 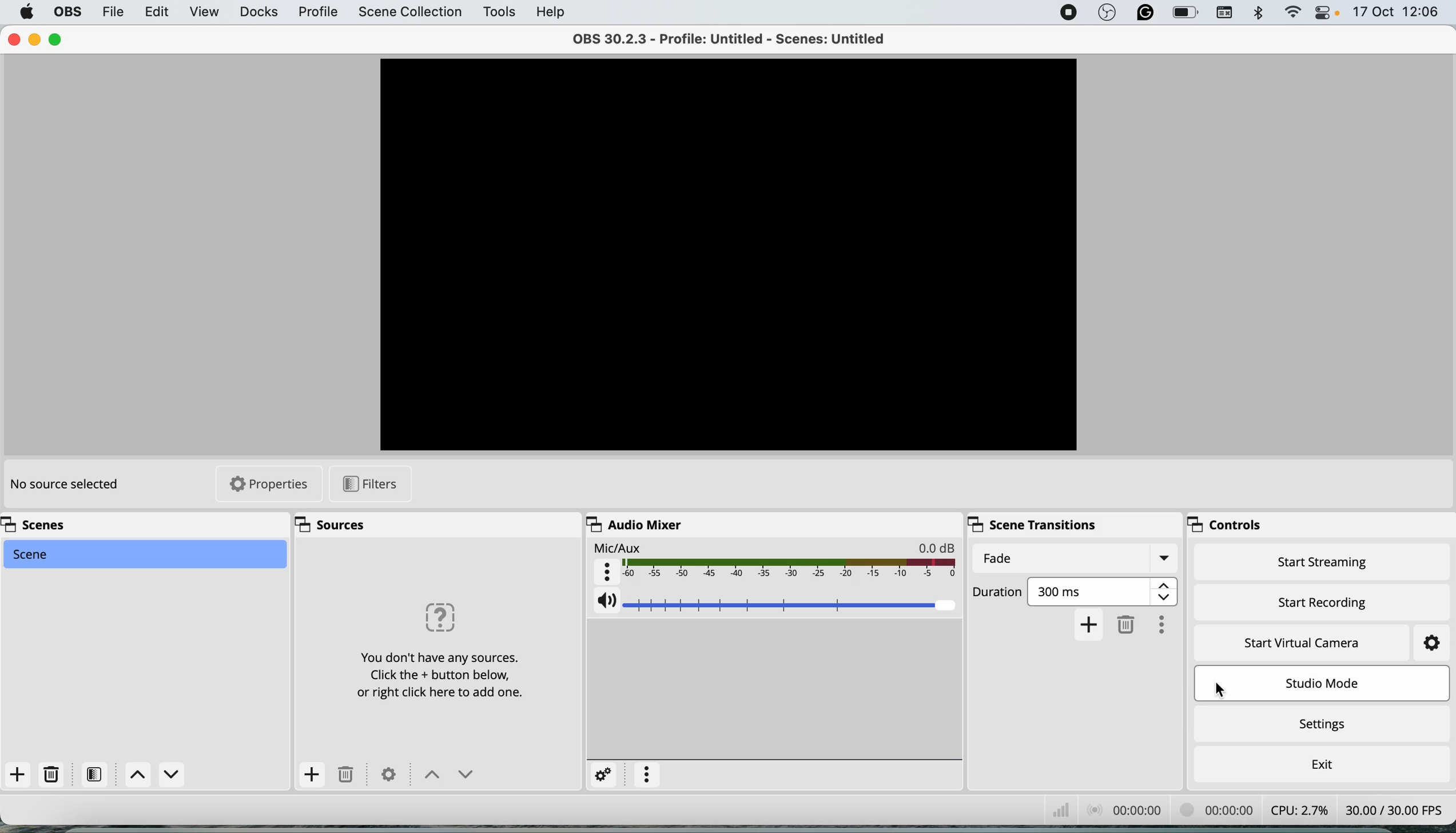 I want to click on transition duration, so click(x=1077, y=590).